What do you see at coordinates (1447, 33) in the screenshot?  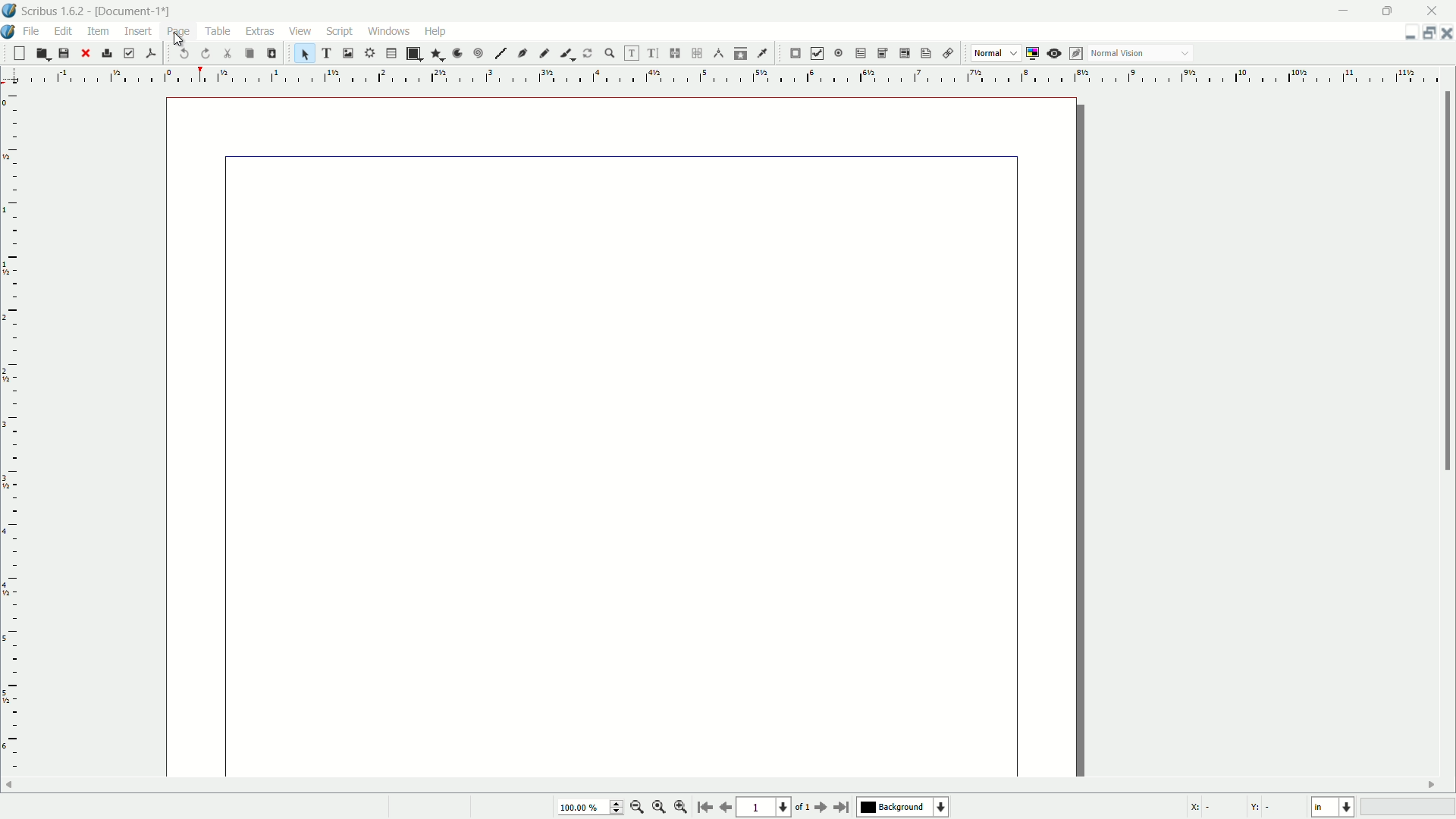 I see `close document` at bounding box center [1447, 33].